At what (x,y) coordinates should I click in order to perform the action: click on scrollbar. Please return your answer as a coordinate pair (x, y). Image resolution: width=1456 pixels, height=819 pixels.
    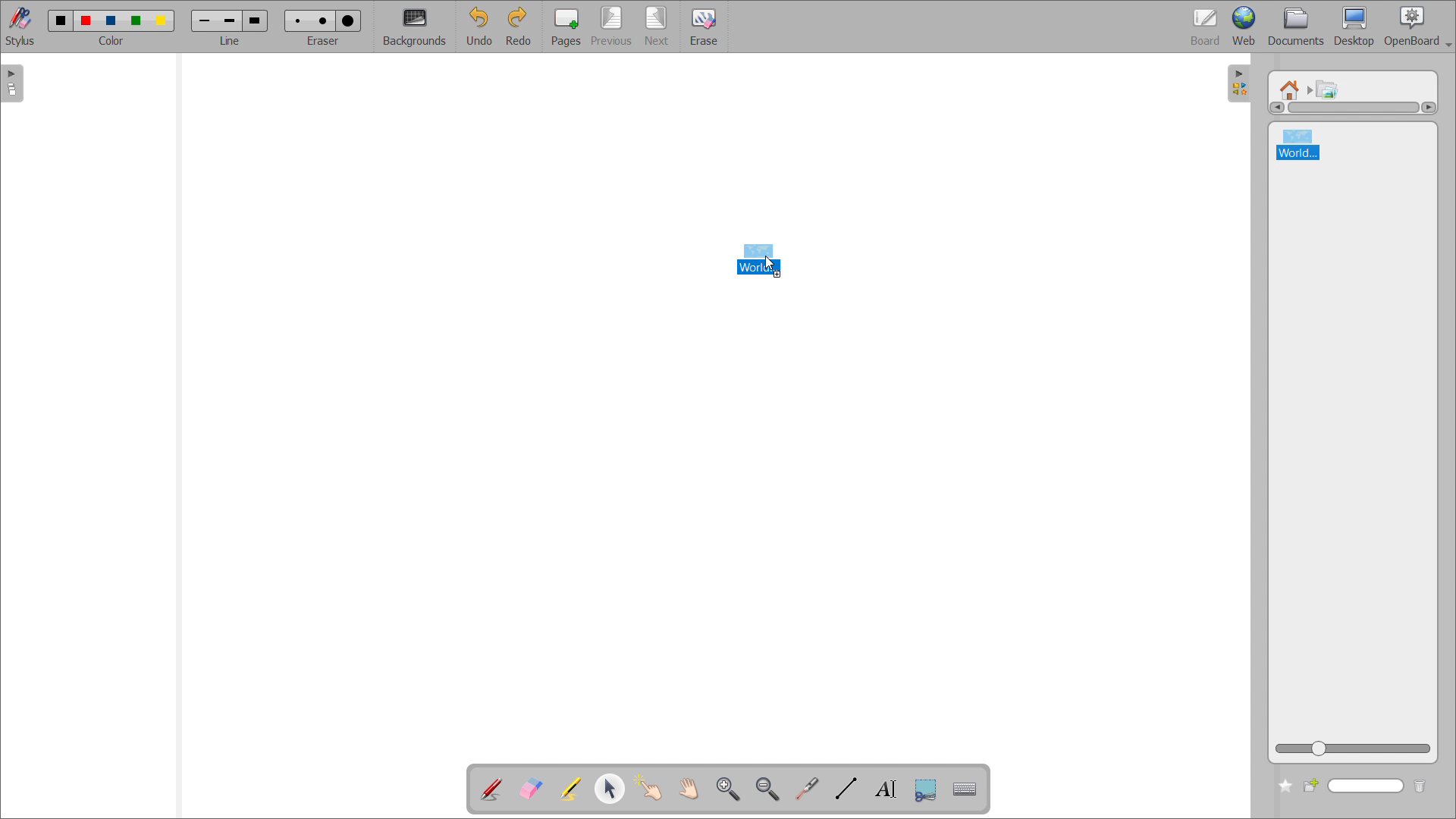
    Looking at the image, I should click on (1354, 108).